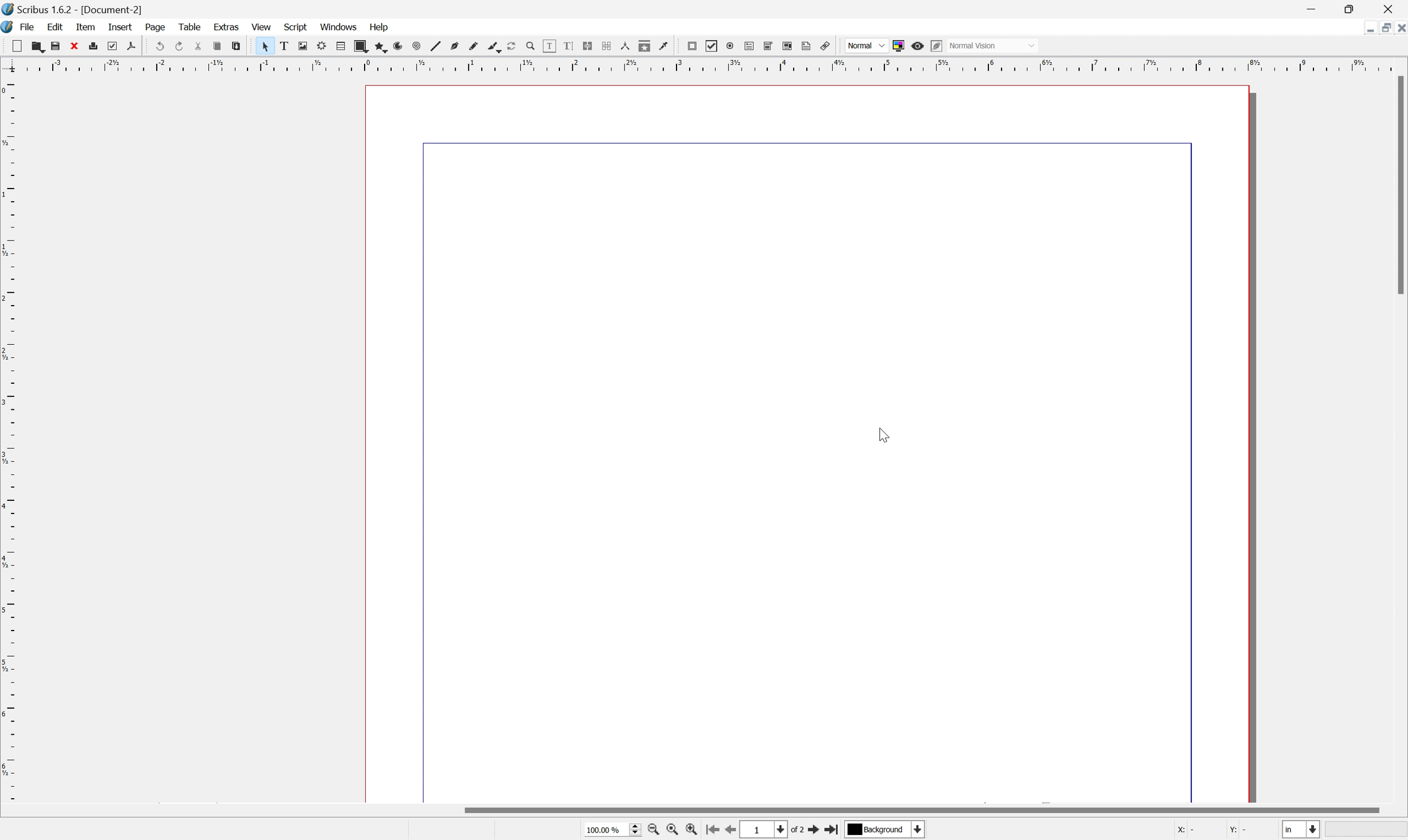 The width and height of the screenshot is (1408, 840). What do you see at coordinates (939, 46) in the screenshot?
I see `Edit in preview mode` at bounding box center [939, 46].